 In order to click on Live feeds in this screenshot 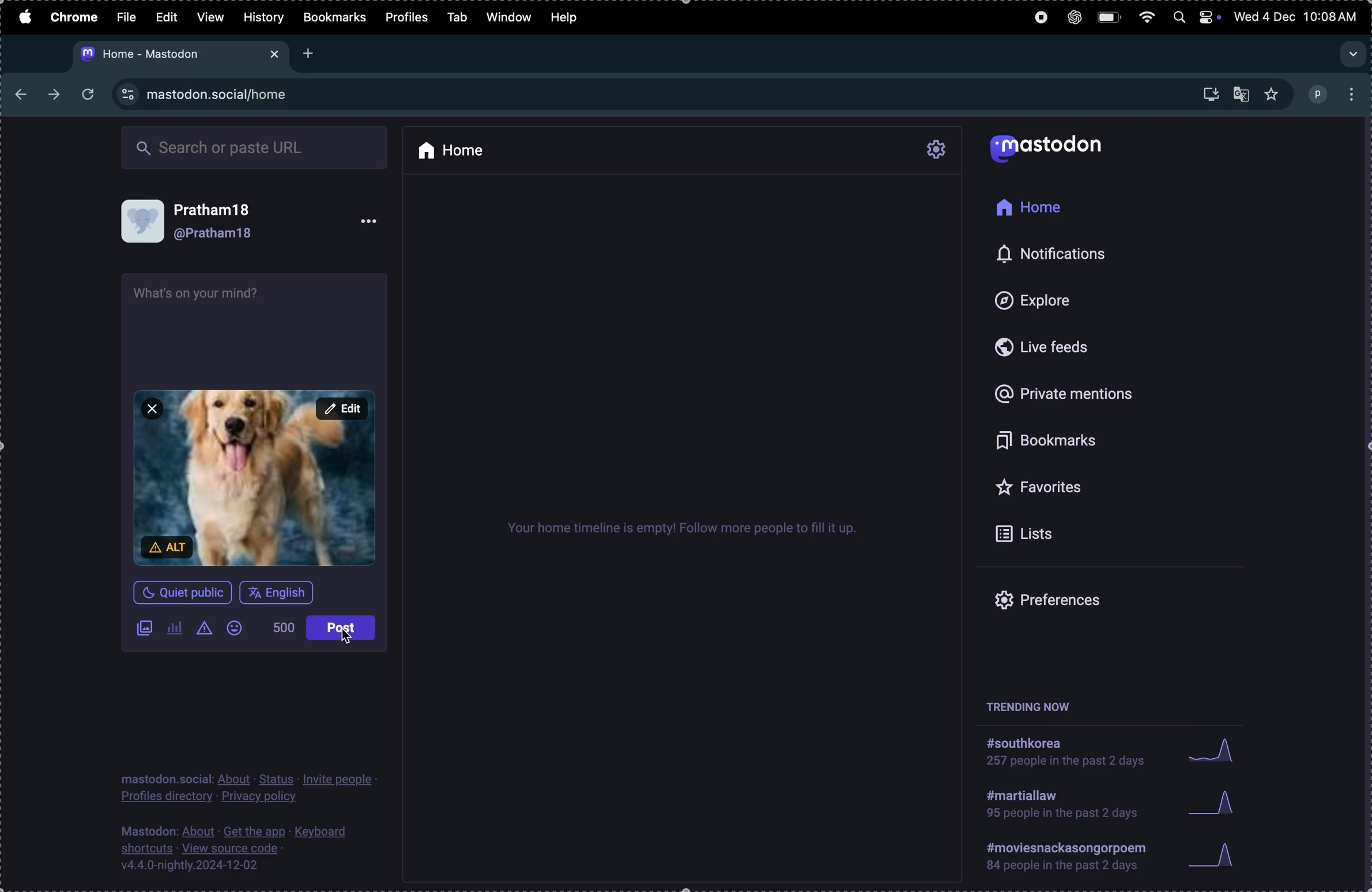, I will do `click(1038, 350)`.